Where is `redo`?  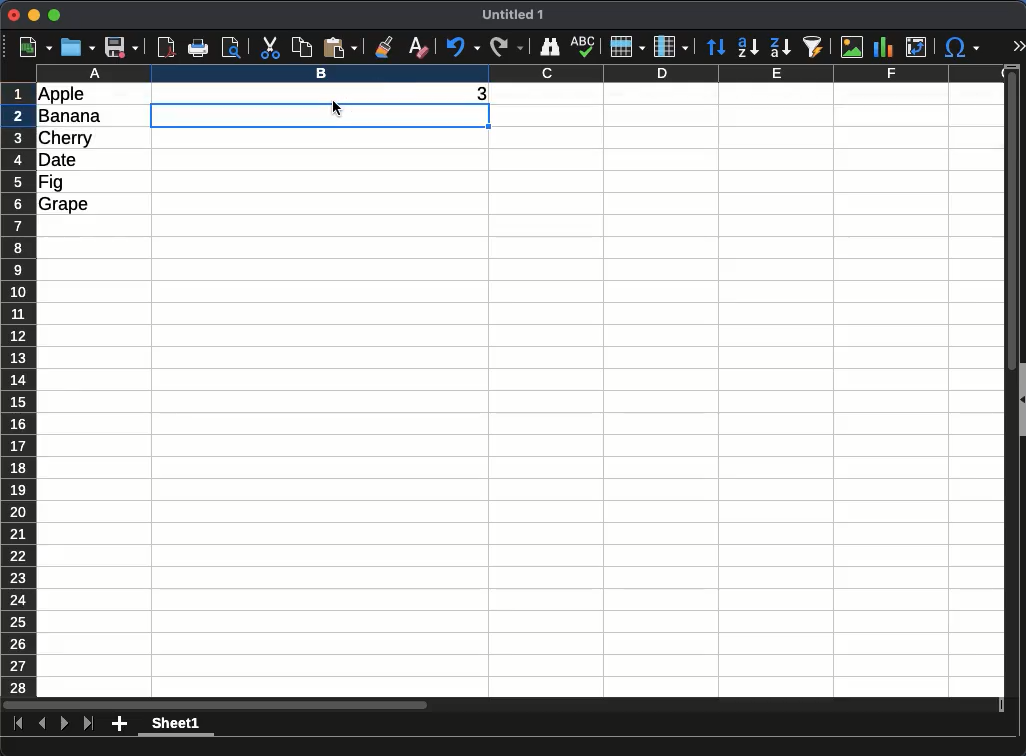
redo is located at coordinates (507, 47).